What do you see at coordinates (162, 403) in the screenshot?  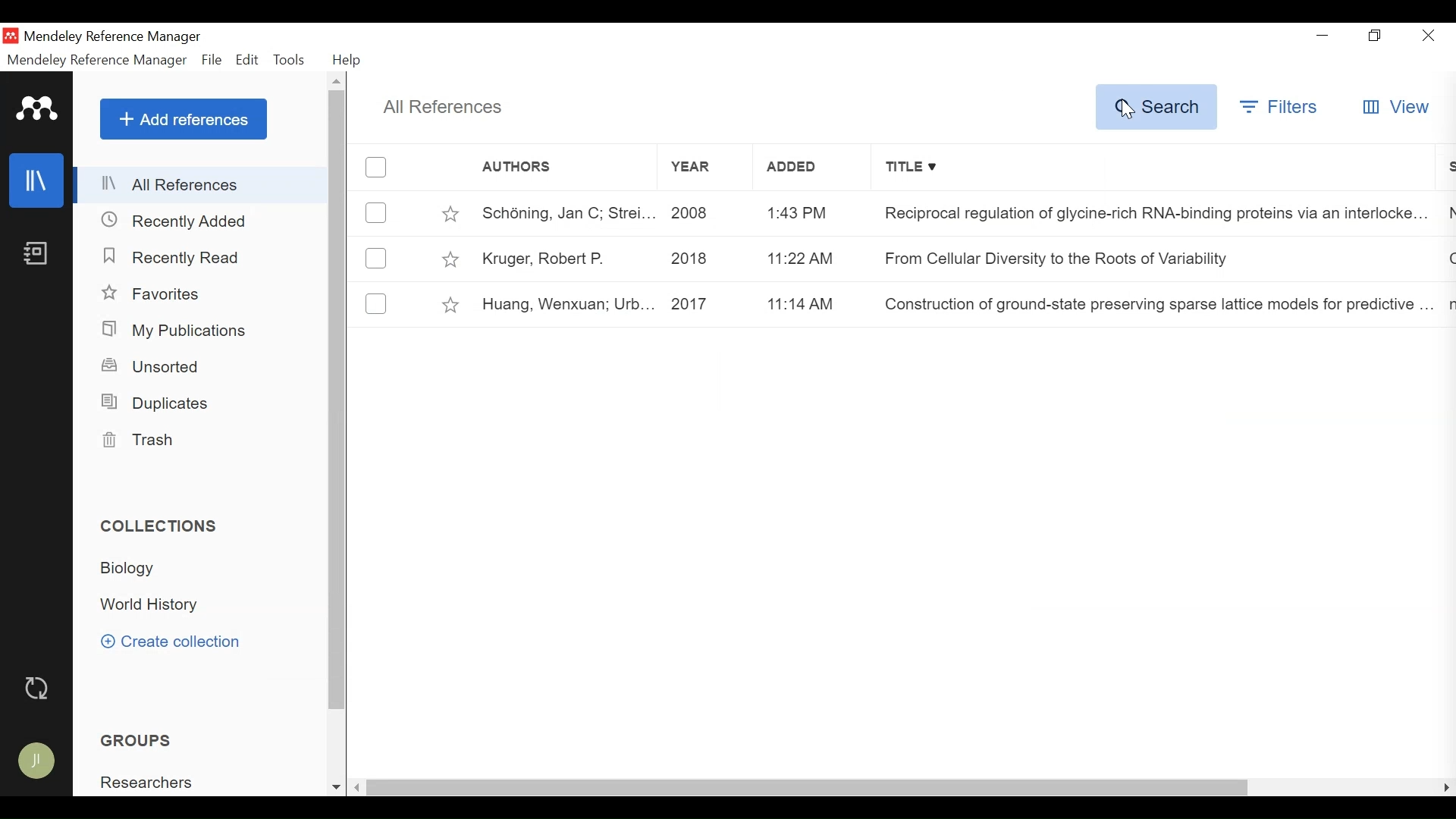 I see `Duplicates` at bounding box center [162, 403].